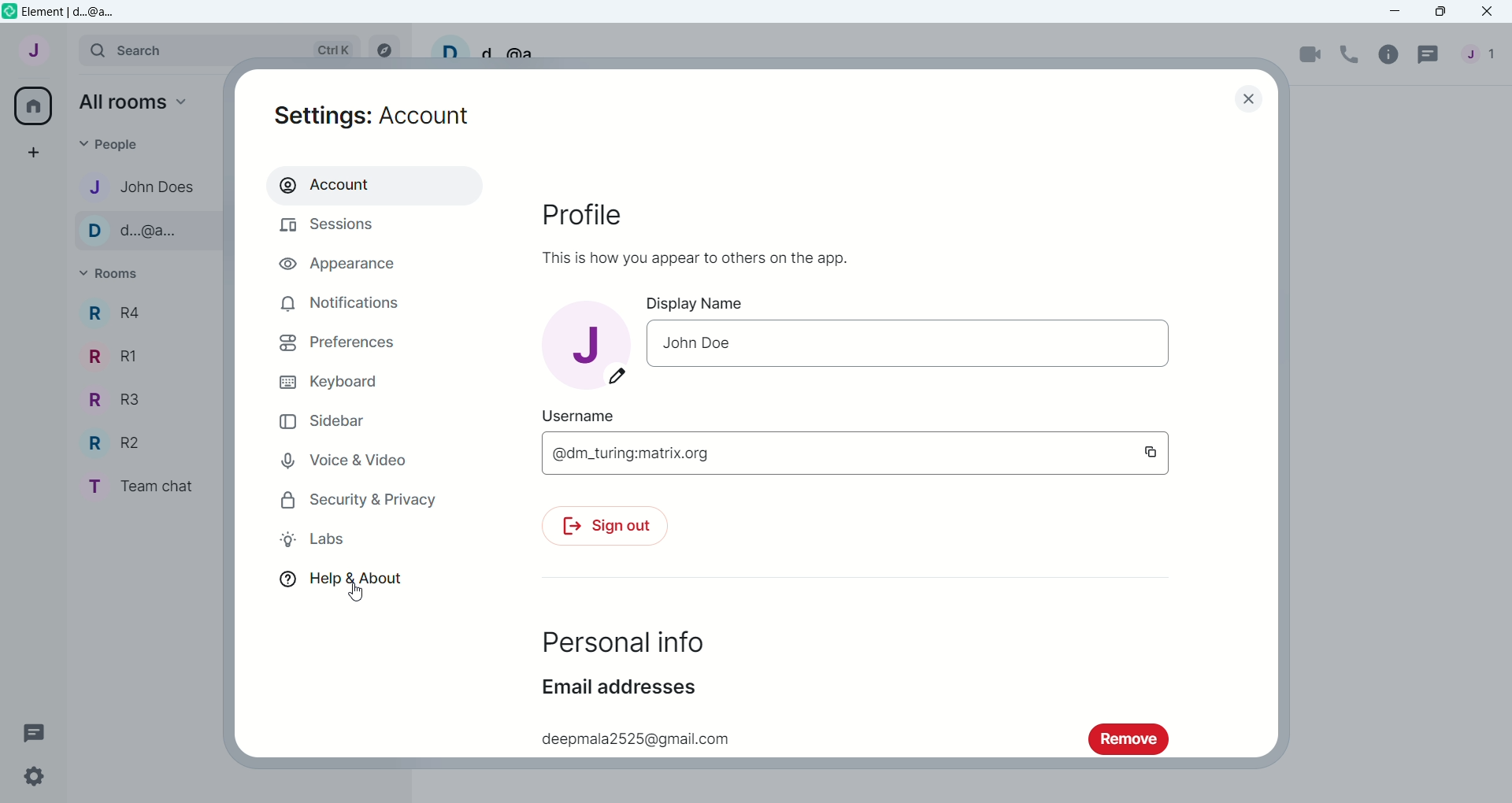  I want to click on Close, so click(1489, 13).